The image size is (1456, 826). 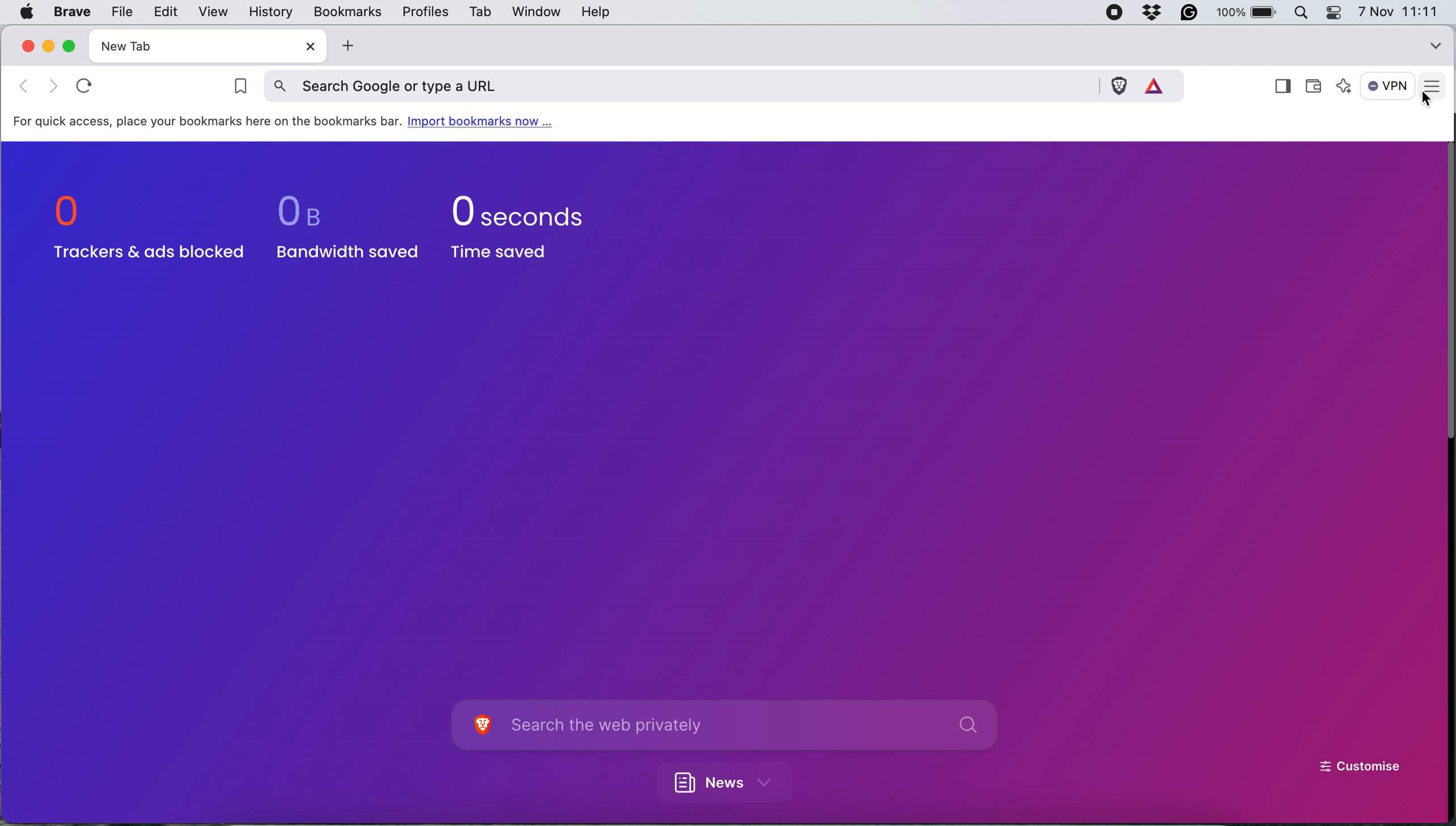 What do you see at coordinates (481, 727) in the screenshot?
I see `Brave customize list` at bounding box center [481, 727].